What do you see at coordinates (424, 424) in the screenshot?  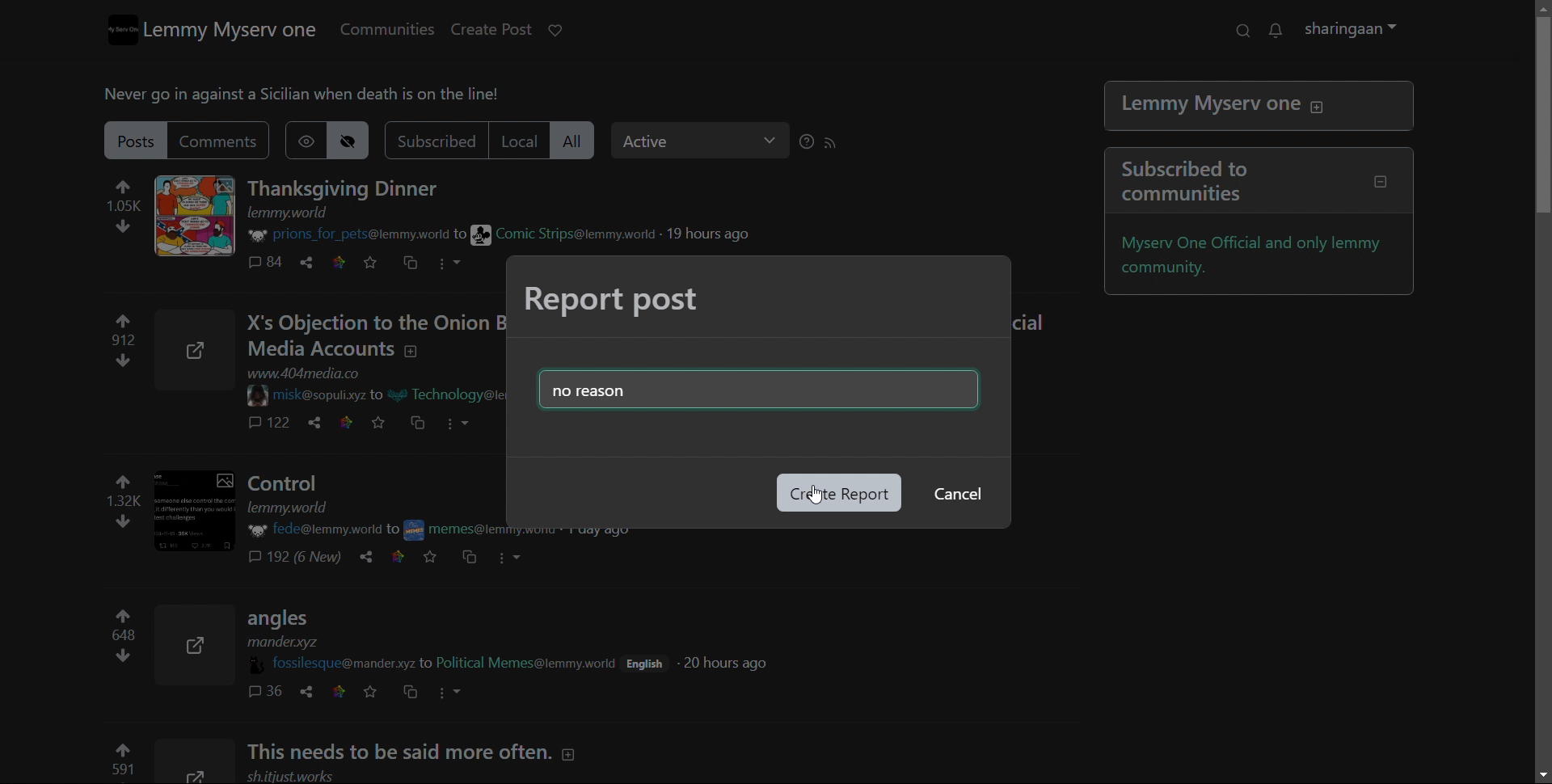 I see `Cross post` at bounding box center [424, 424].